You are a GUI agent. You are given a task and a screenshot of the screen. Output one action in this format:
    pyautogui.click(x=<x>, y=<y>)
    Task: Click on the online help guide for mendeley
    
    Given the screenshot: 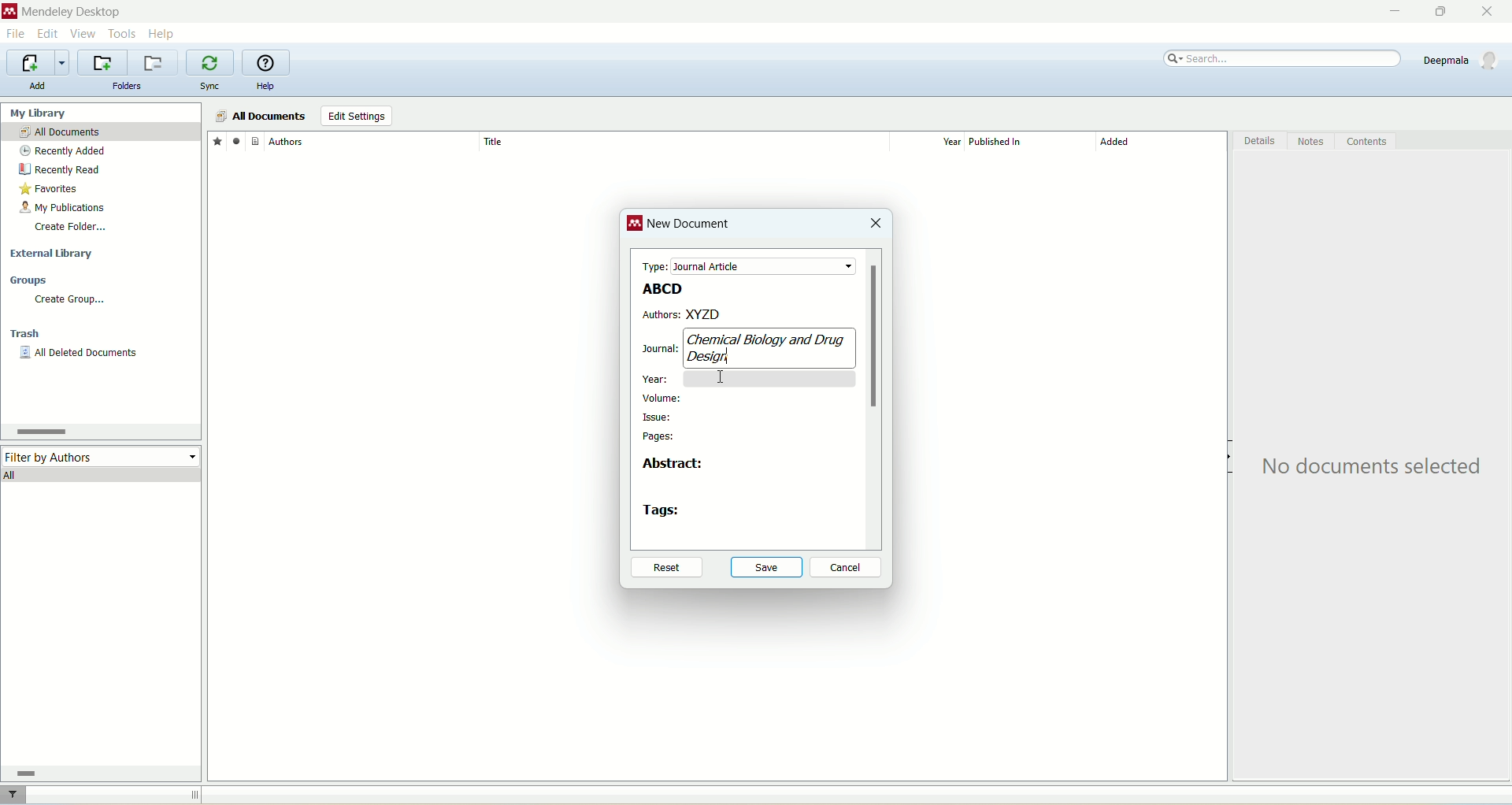 What is the action you would take?
    pyautogui.click(x=267, y=63)
    